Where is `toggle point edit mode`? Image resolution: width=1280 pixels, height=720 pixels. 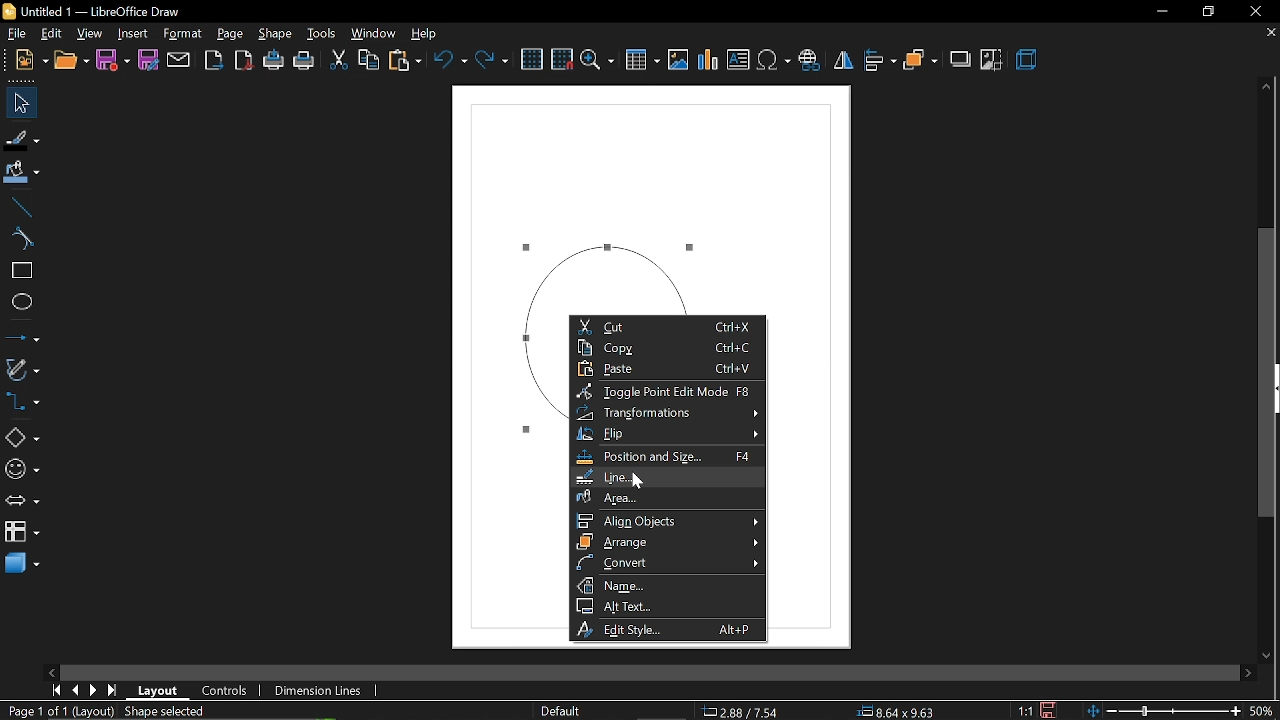
toggle point edit mode is located at coordinates (669, 390).